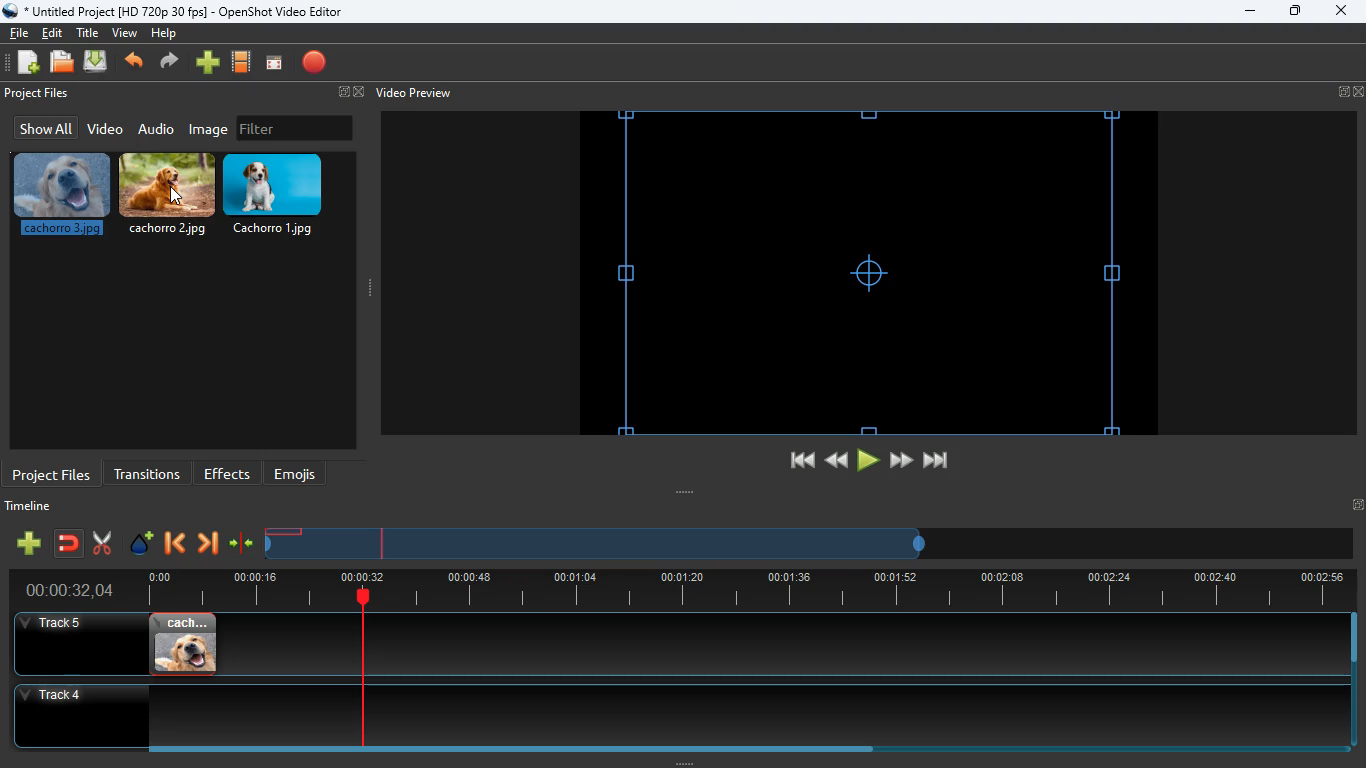  I want to click on add, so click(28, 543).